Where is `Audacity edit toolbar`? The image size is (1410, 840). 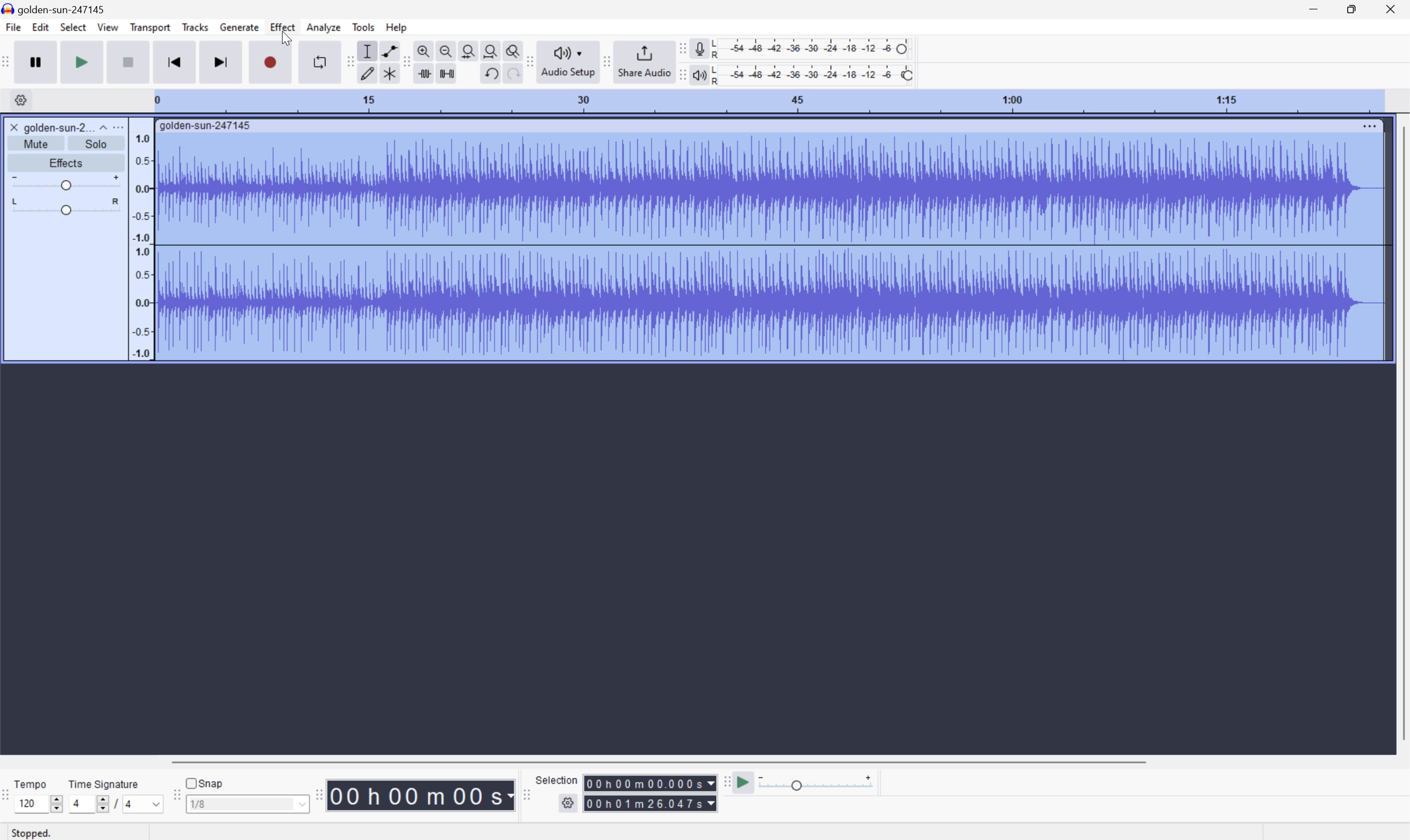
Audacity edit toolbar is located at coordinates (407, 63).